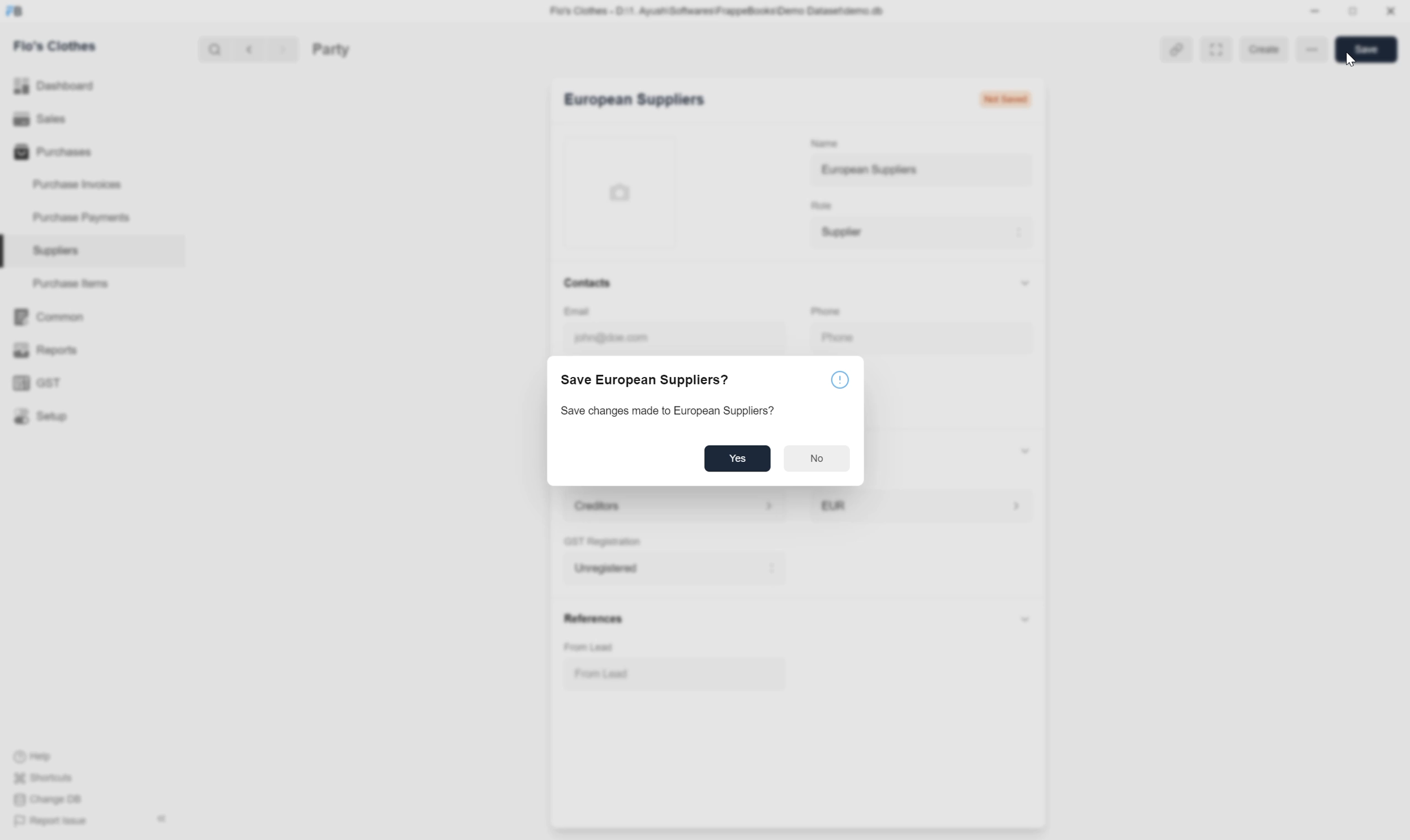 This screenshot has height=840, width=1410. What do you see at coordinates (817, 456) in the screenshot?
I see `No` at bounding box center [817, 456].